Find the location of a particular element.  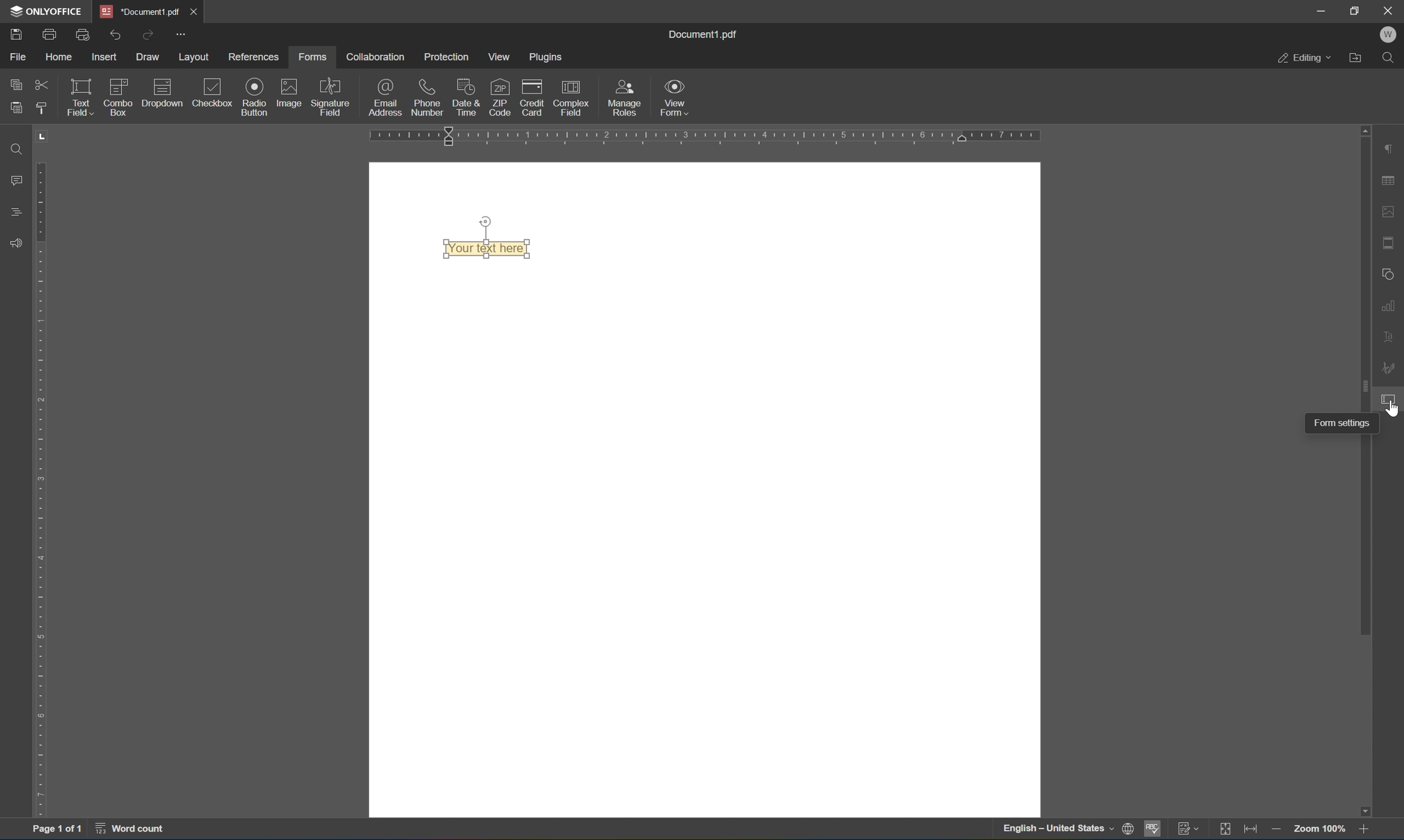

text field is located at coordinates (78, 97).